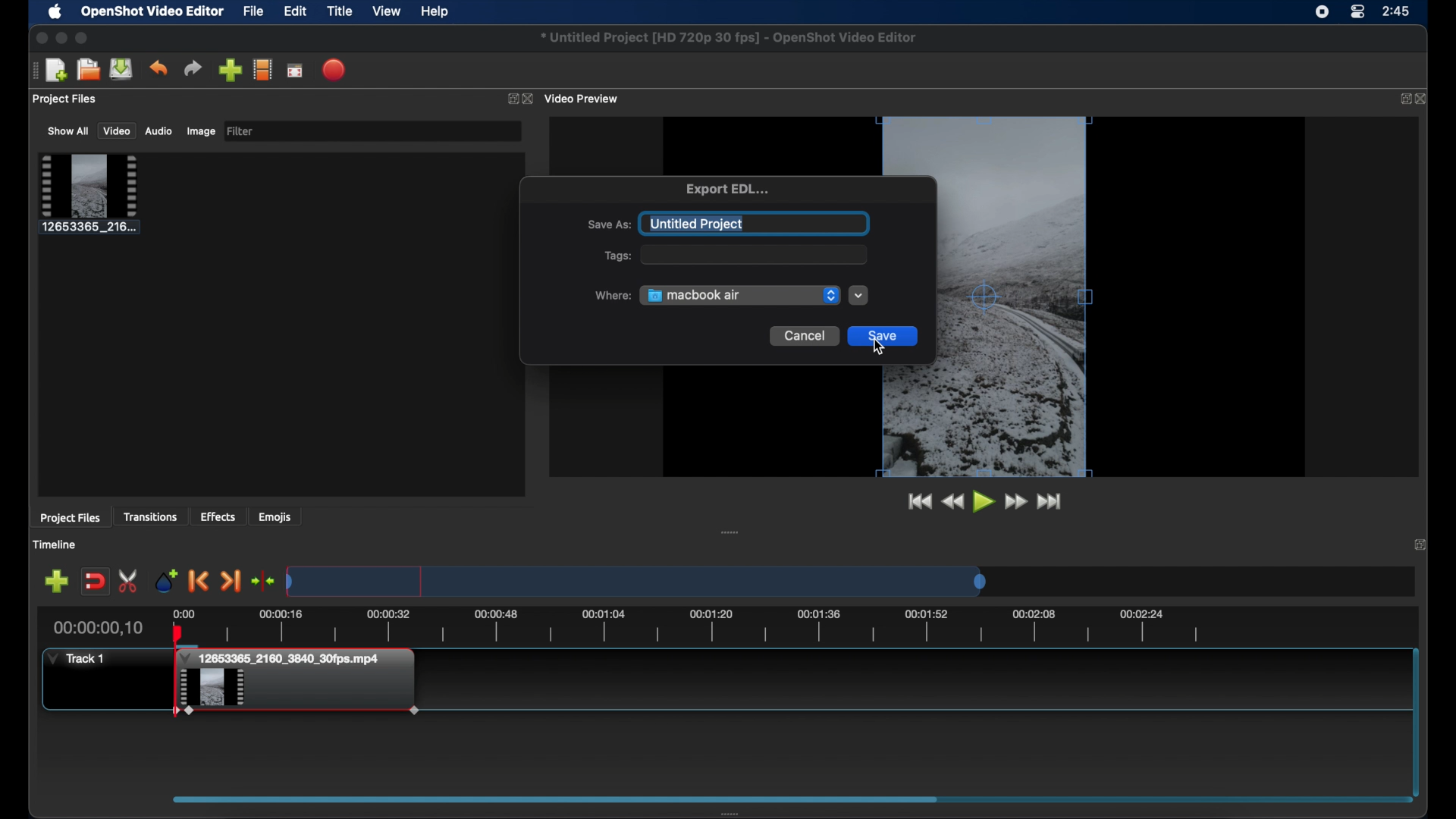  What do you see at coordinates (39, 39) in the screenshot?
I see `close` at bounding box center [39, 39].